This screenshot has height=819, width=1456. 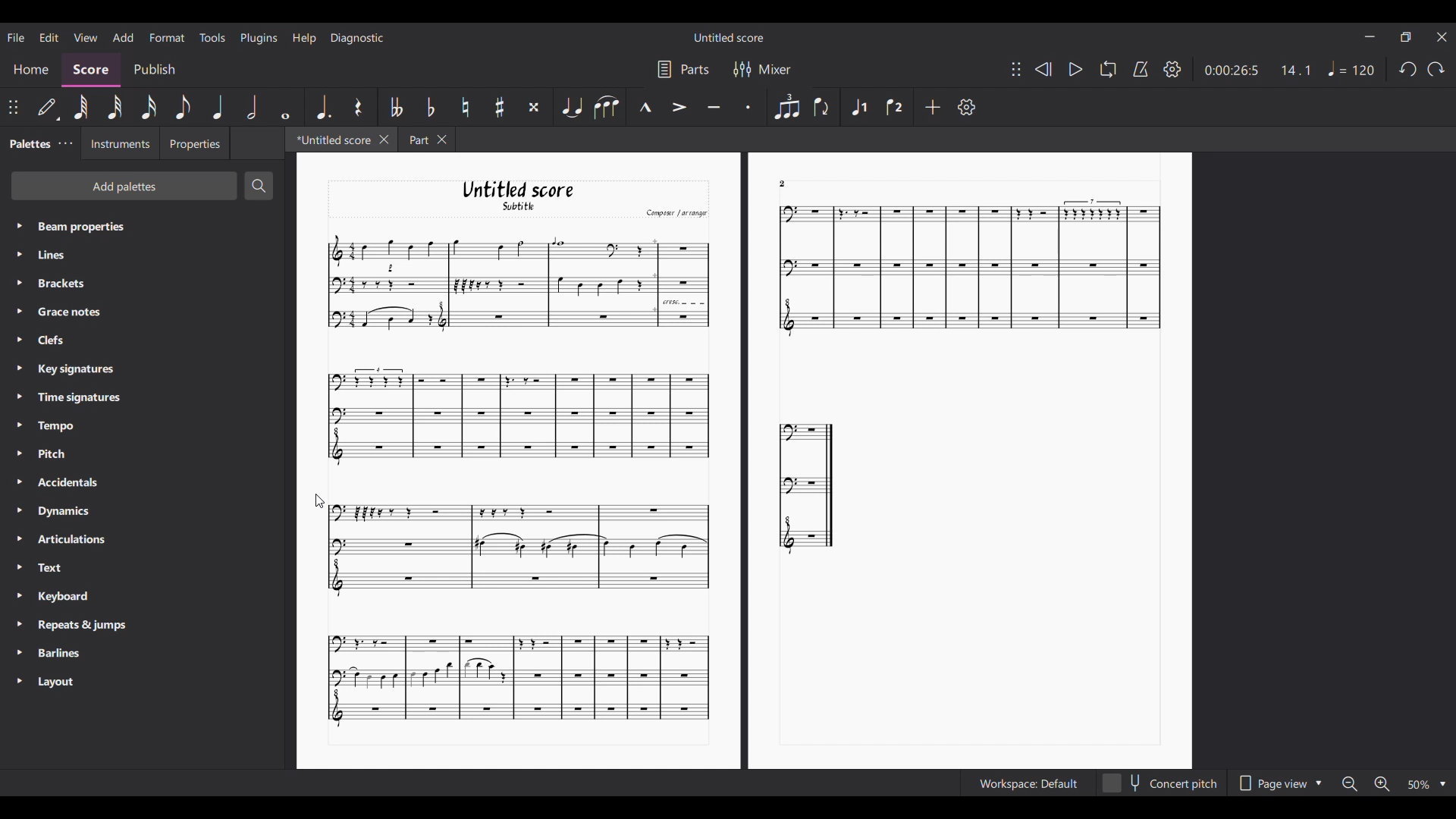 What do you see at coordinates (65, 682) in the screenshot?
I see `> Layout` at bounding box center [65, 682].